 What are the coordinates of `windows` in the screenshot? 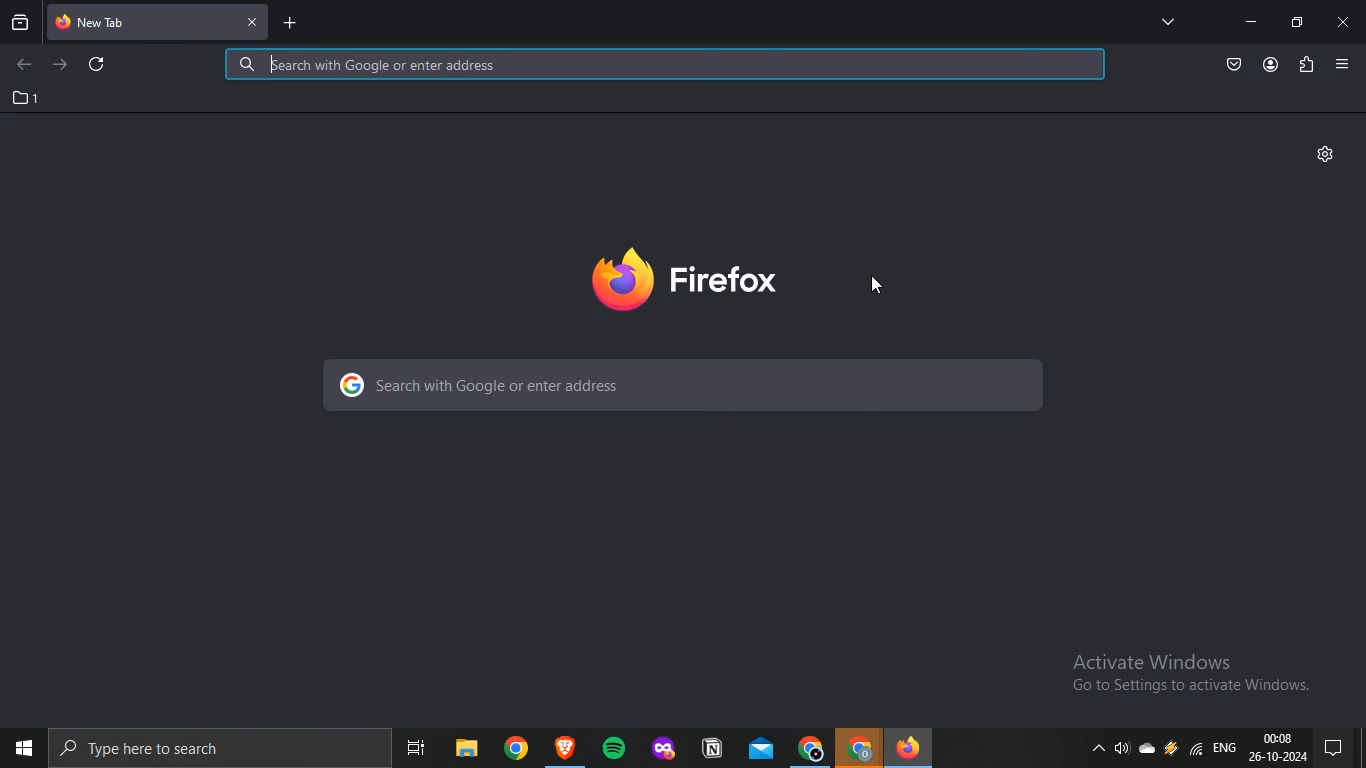 It's located at (22, 747).